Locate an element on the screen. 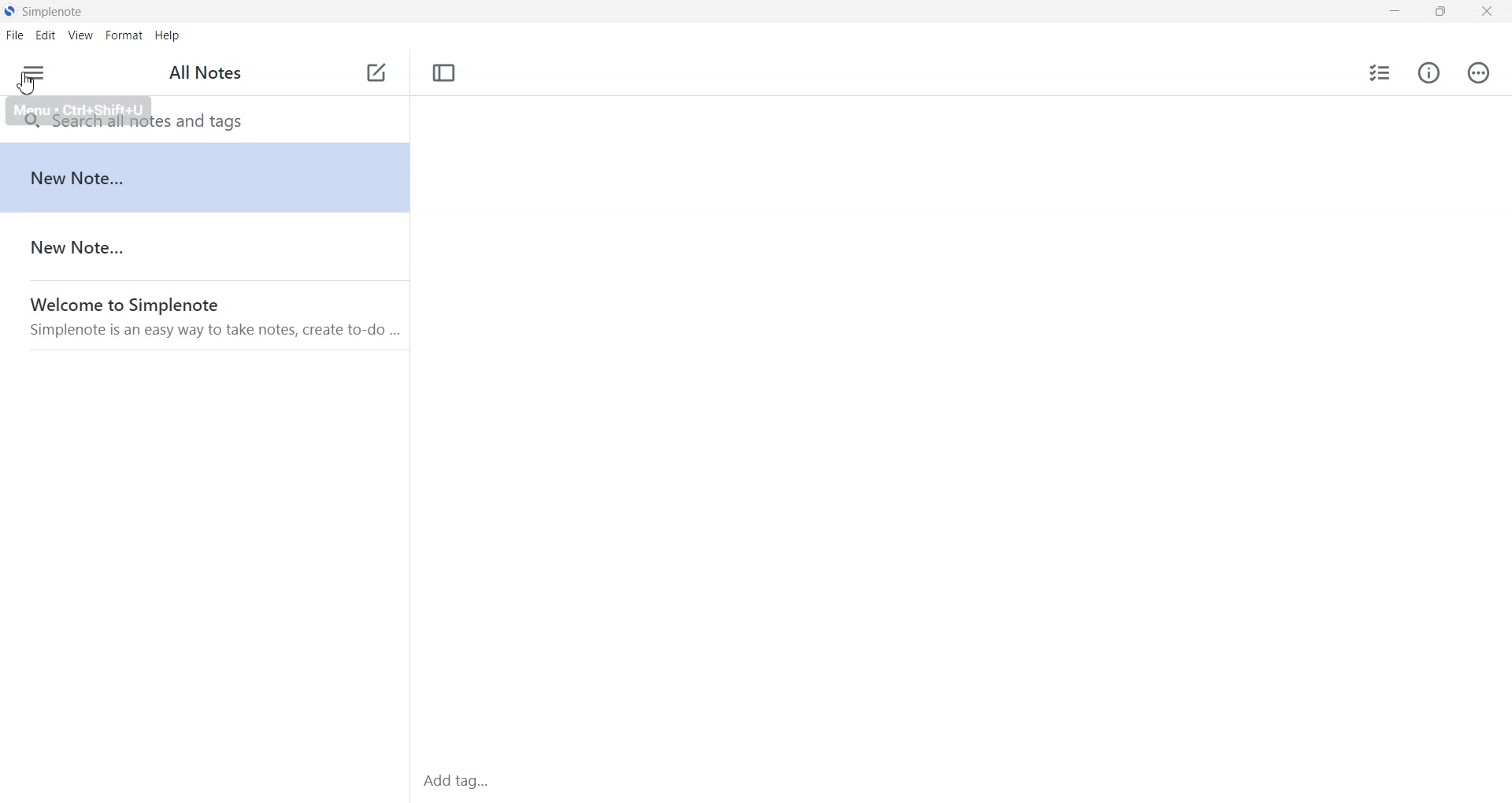  Maximize is located at coordinates (1442, 12).